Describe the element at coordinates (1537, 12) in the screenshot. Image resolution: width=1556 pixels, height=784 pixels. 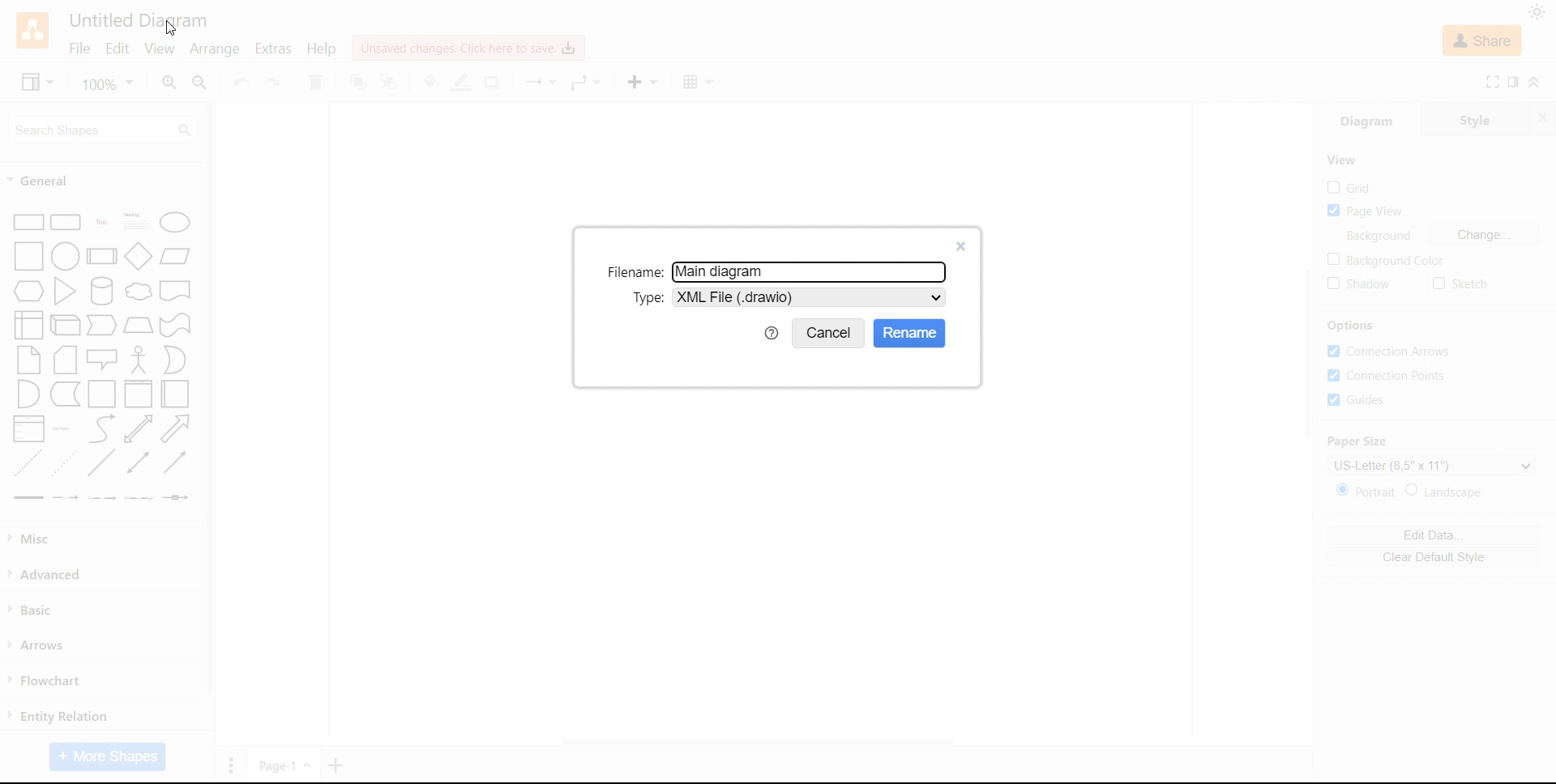
I see `Select theme ` at that location.